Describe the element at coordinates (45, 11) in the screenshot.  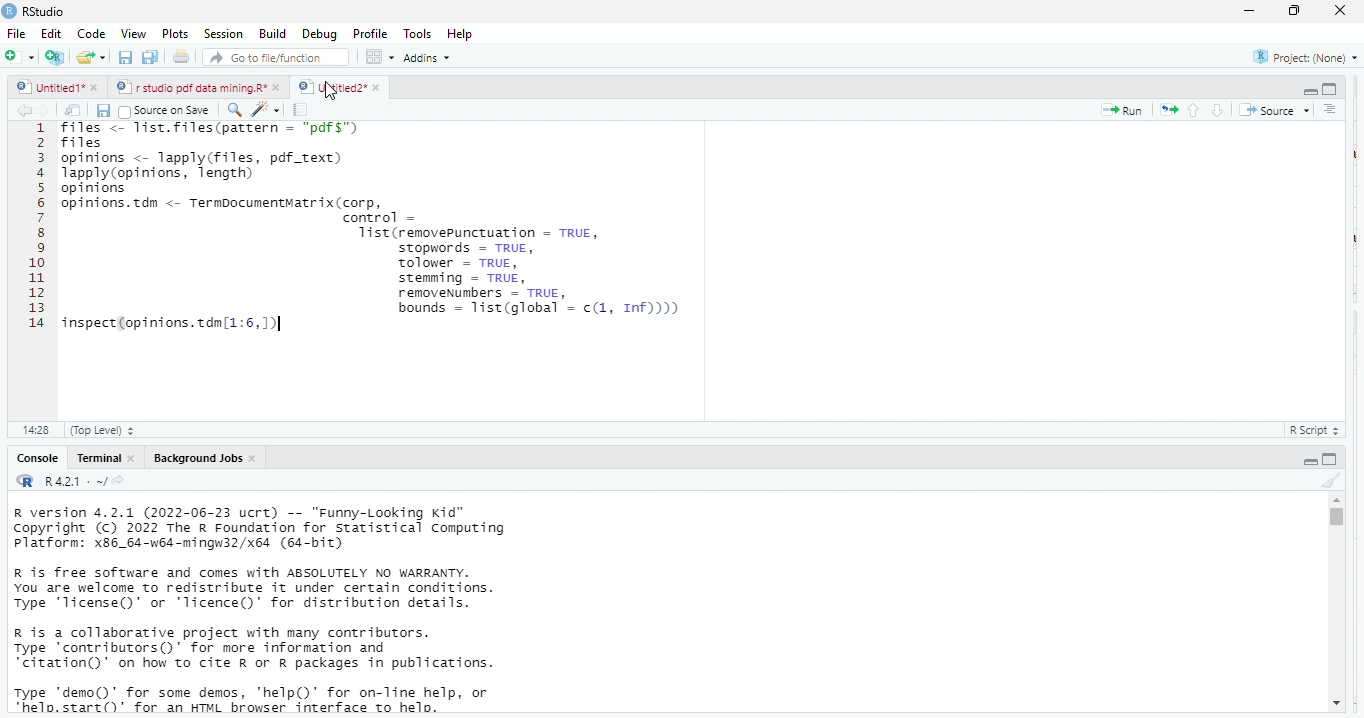
I see `rs studio` at that location.